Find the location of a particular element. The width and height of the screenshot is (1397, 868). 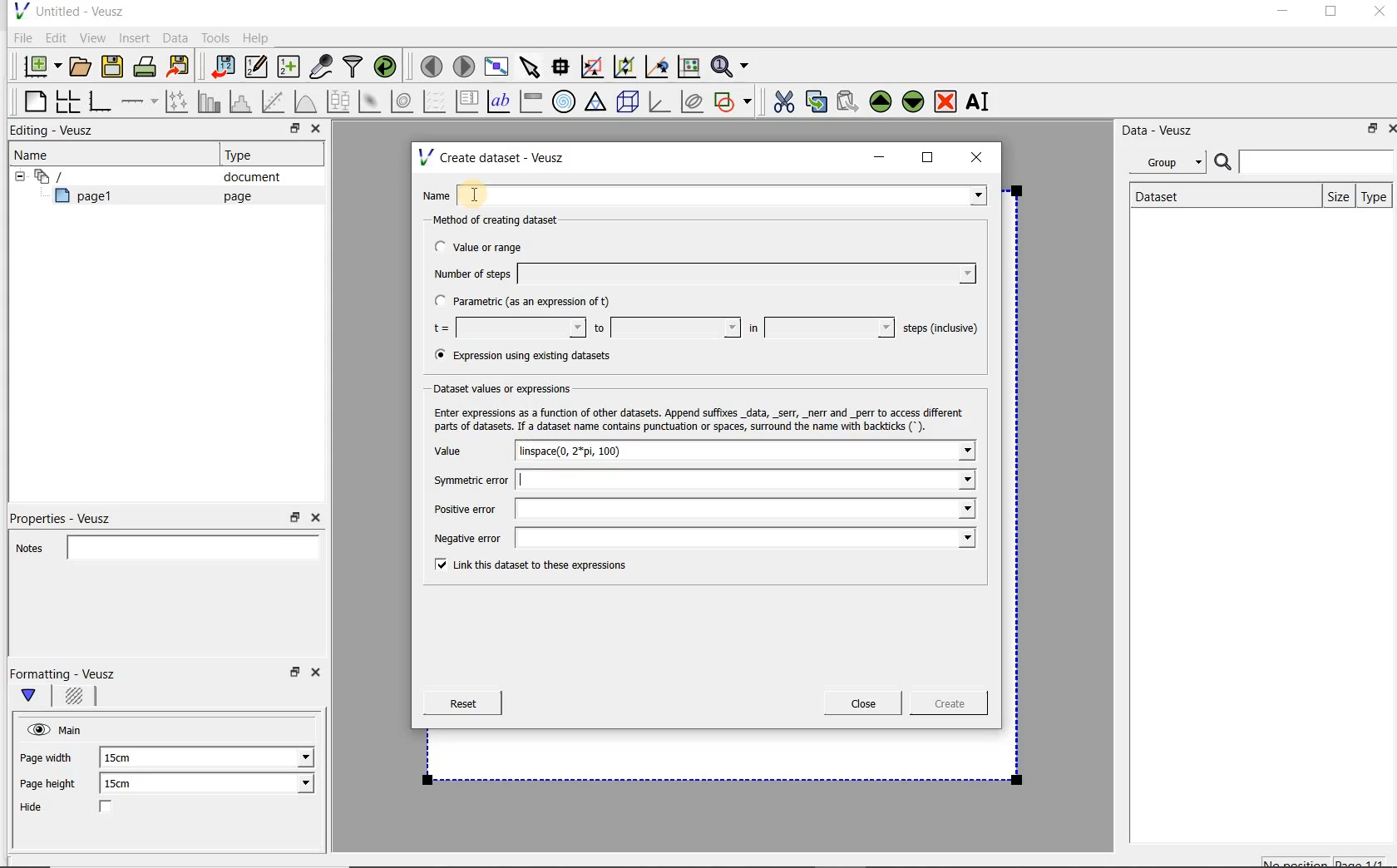

import data into Veusz is located at coordinates (221, 67).